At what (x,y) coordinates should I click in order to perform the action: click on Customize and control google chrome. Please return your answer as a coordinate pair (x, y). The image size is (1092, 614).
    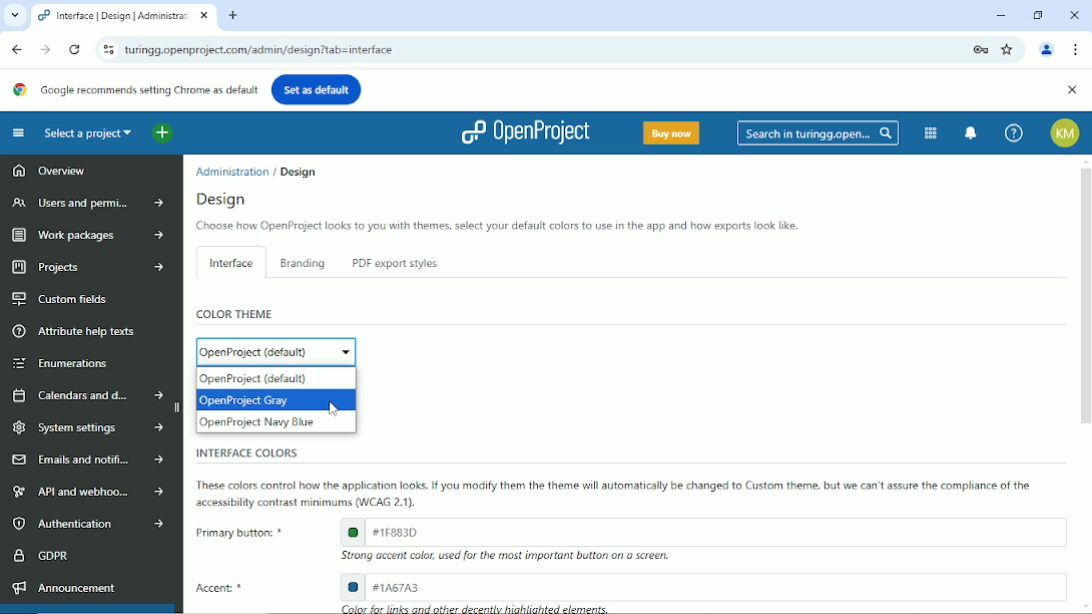
    Looking at the image, I should click on (1076, 50).